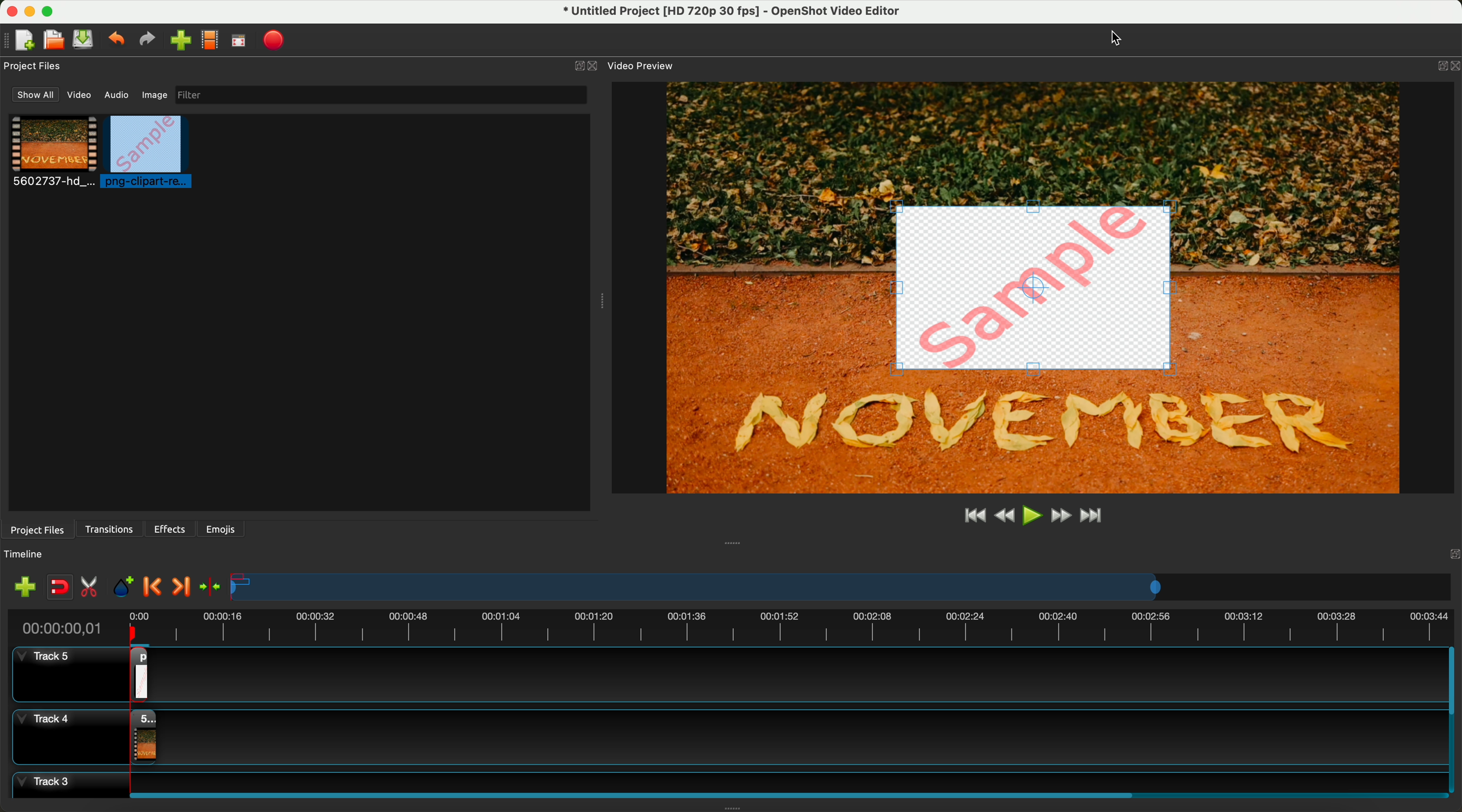 The height and width of the screenshot is (812, 1462). I want to click on scroll bar, so click(1453, 720).